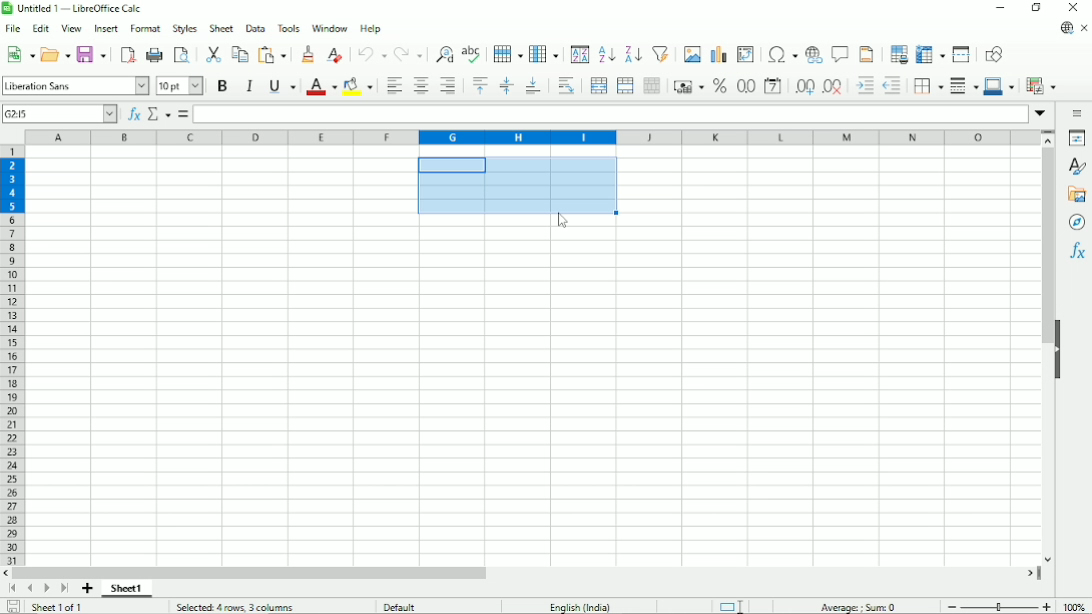 The height and width of the screenshot is (614, 1092). Describe the element at coordinates (631, 53) in the screenshot. I see `Sort descending` at that location.